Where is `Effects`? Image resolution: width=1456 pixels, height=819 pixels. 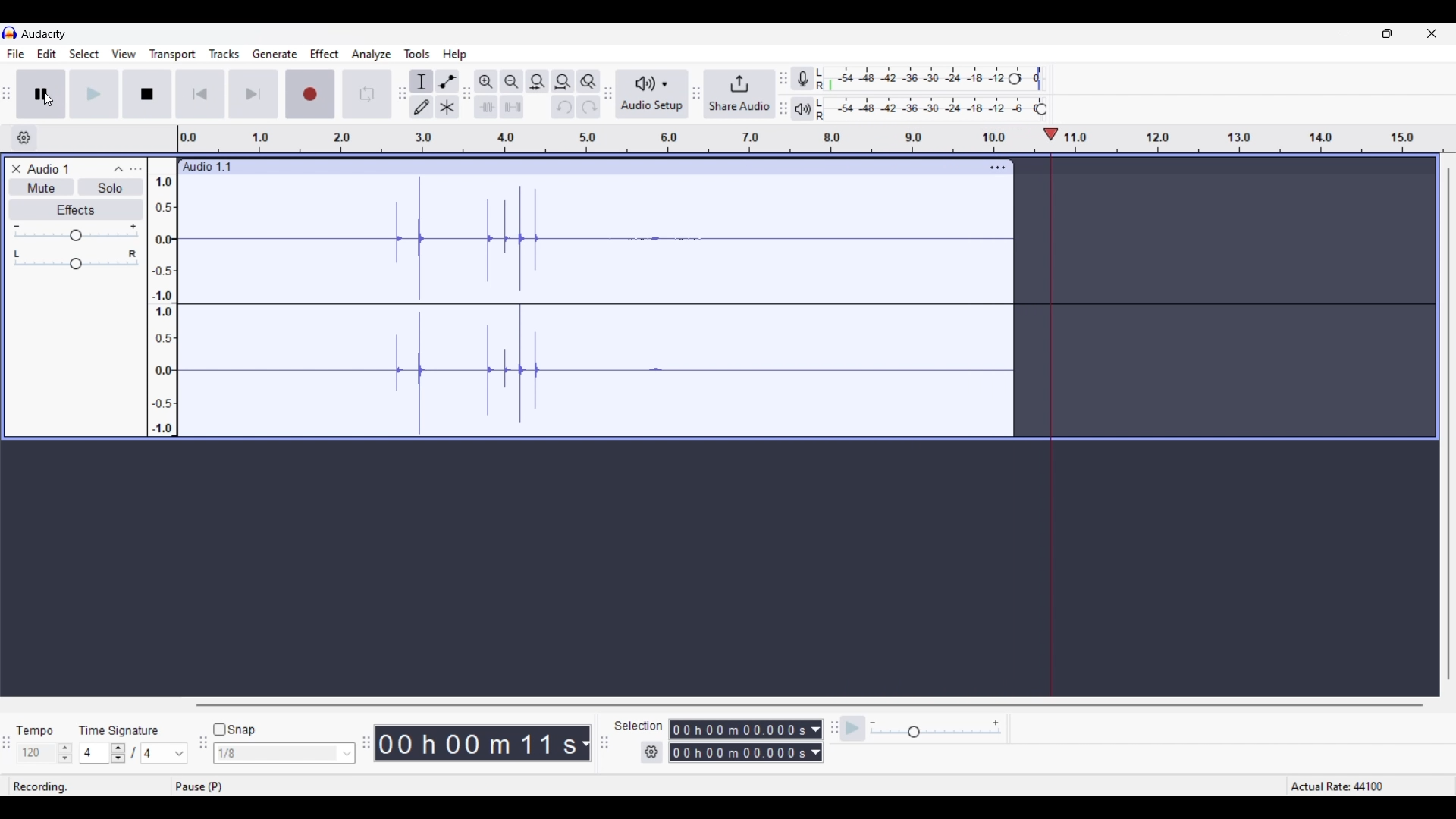 Effects is located at coordinates (74, 209).